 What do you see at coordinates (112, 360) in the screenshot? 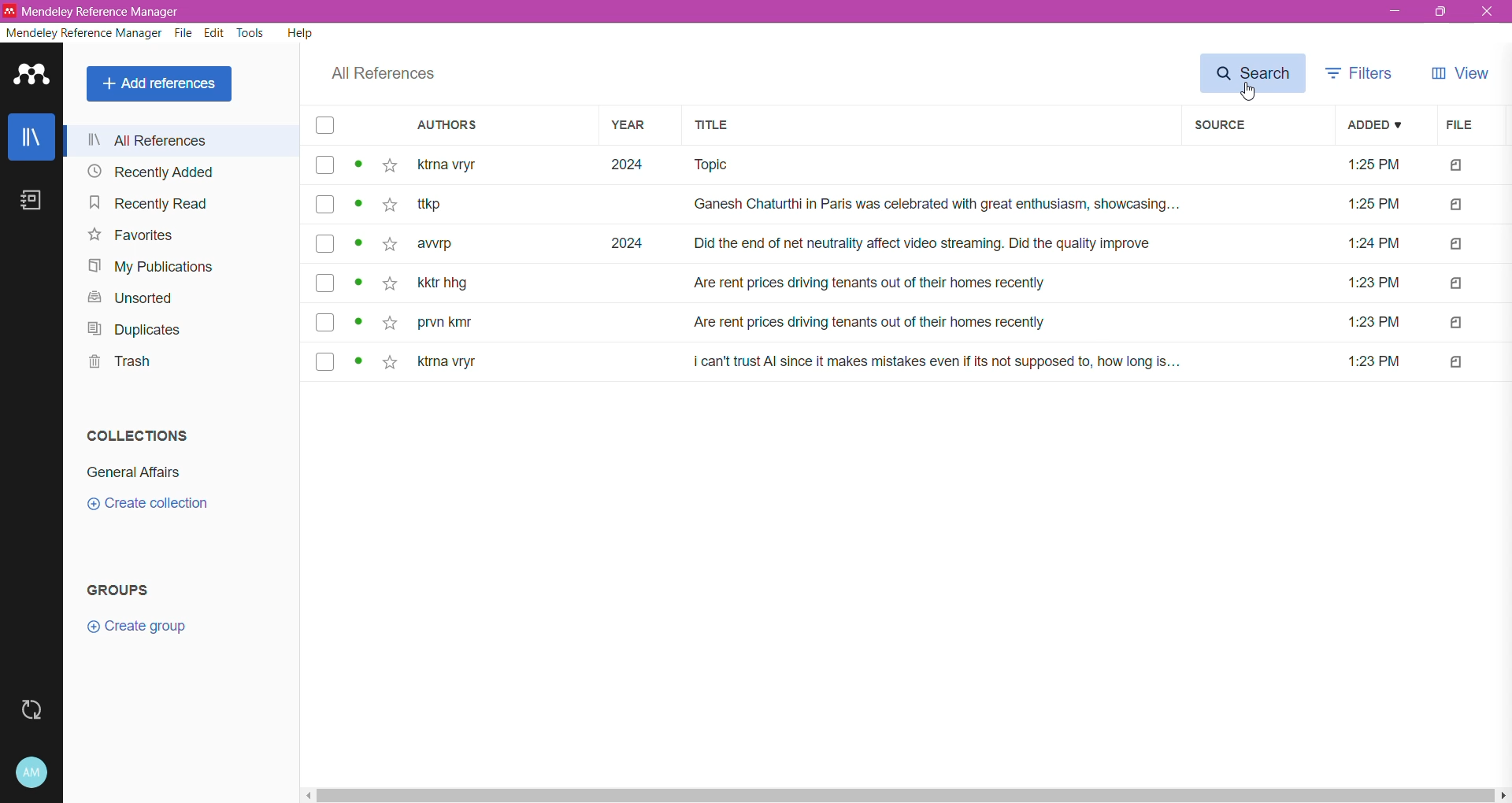
I see `Trash` at bounding box center [112, 360].